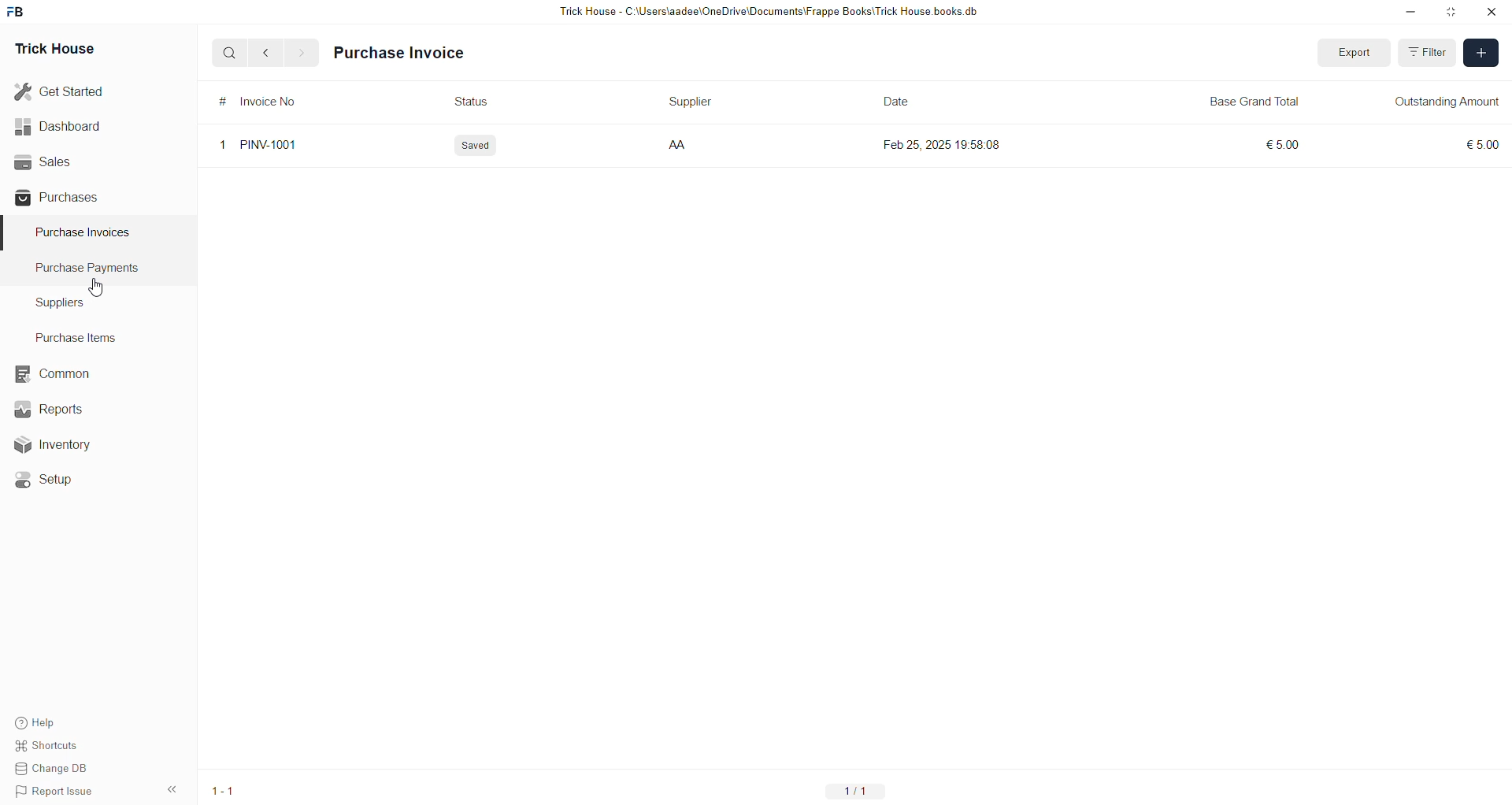 The height and width of the screenshot is (805, 1512). What do you see at coordinates (224, 144) in the screenshot?
I see `1` at bounding box center [224, 144].